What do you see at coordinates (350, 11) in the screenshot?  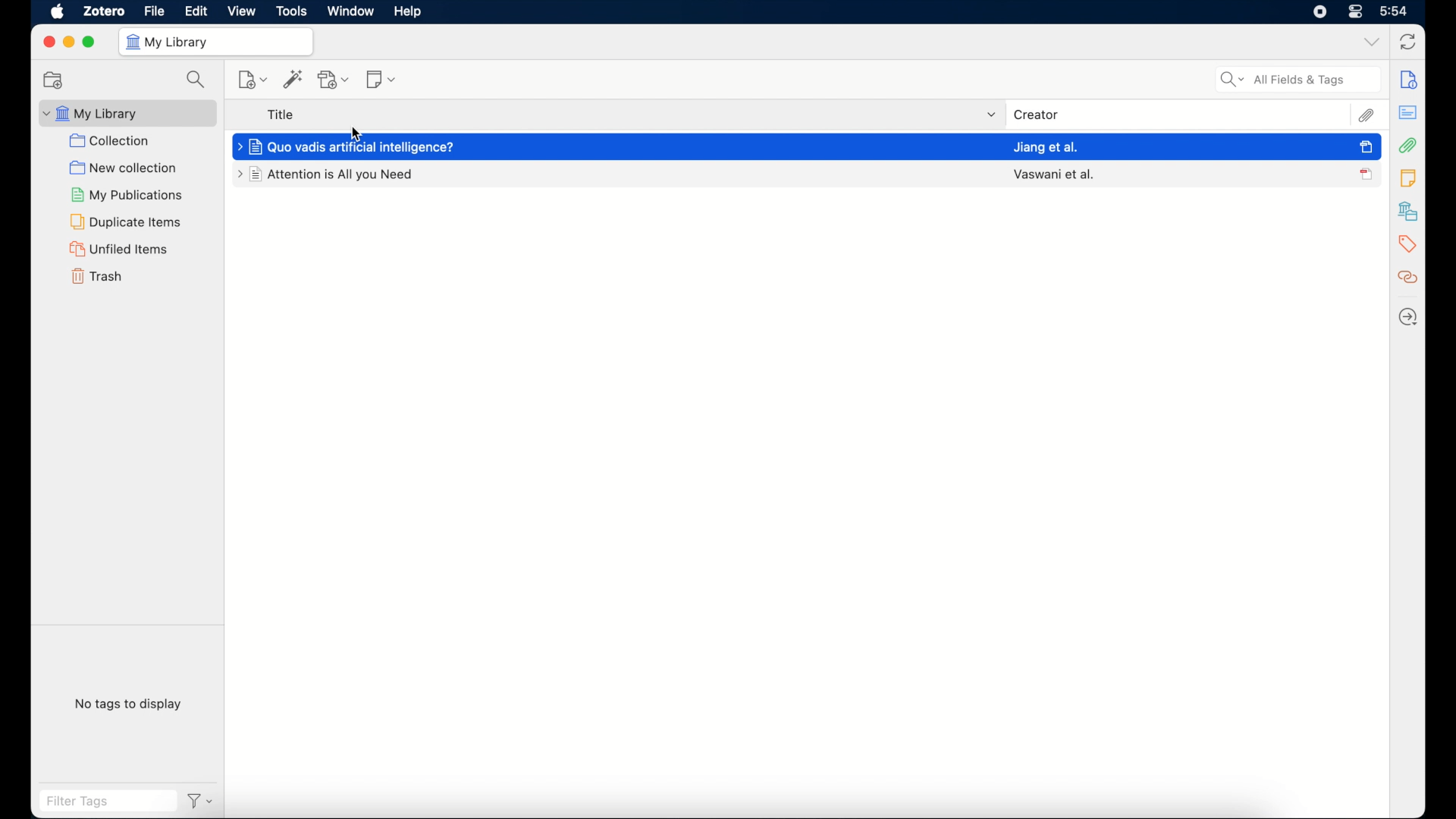 I see `window` at bounding box center [350, 11].